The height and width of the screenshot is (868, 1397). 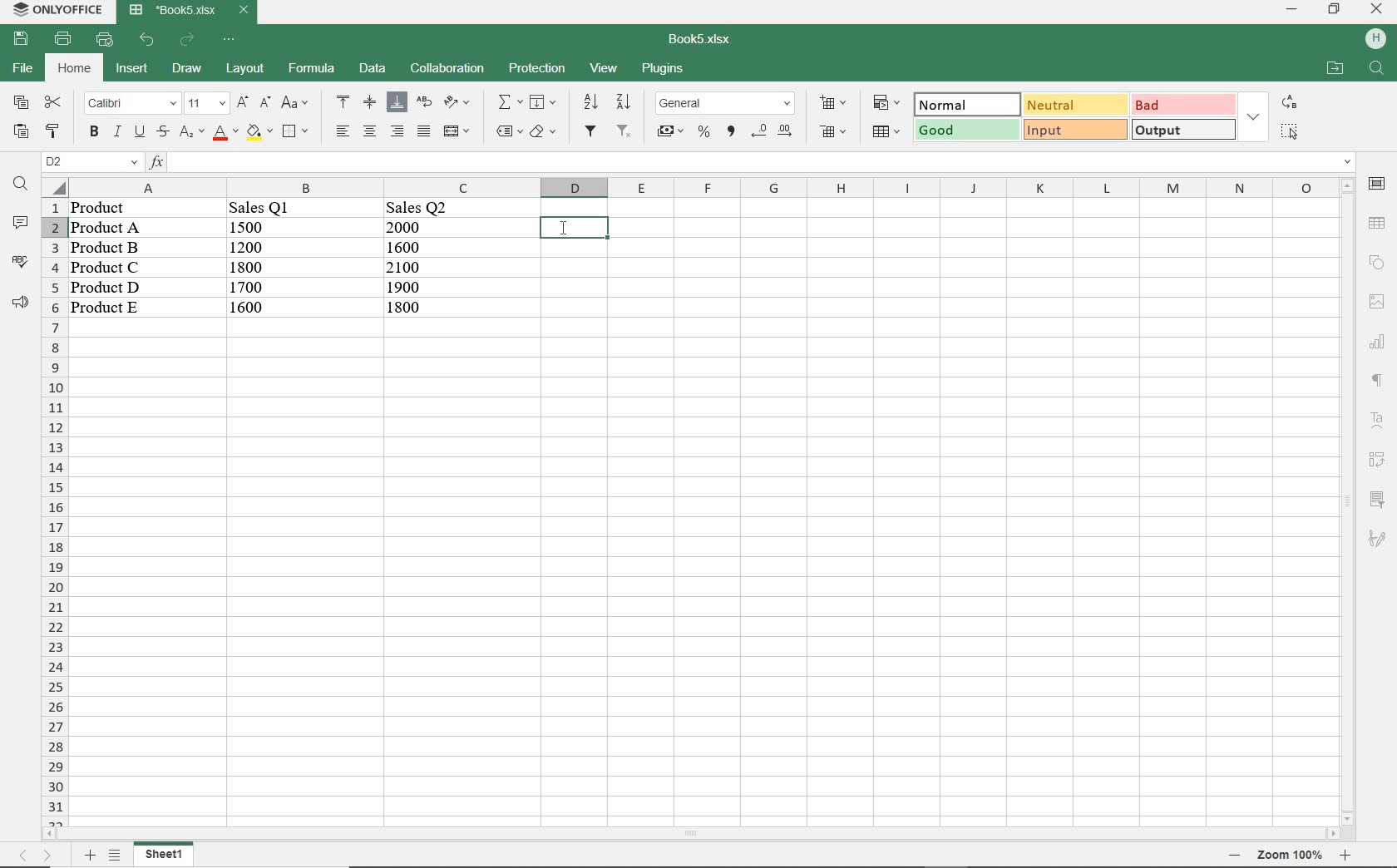 What do you see at coordinates (664, 67) in the screenshot?
I see `plugins` at bounding box center [664, 67].